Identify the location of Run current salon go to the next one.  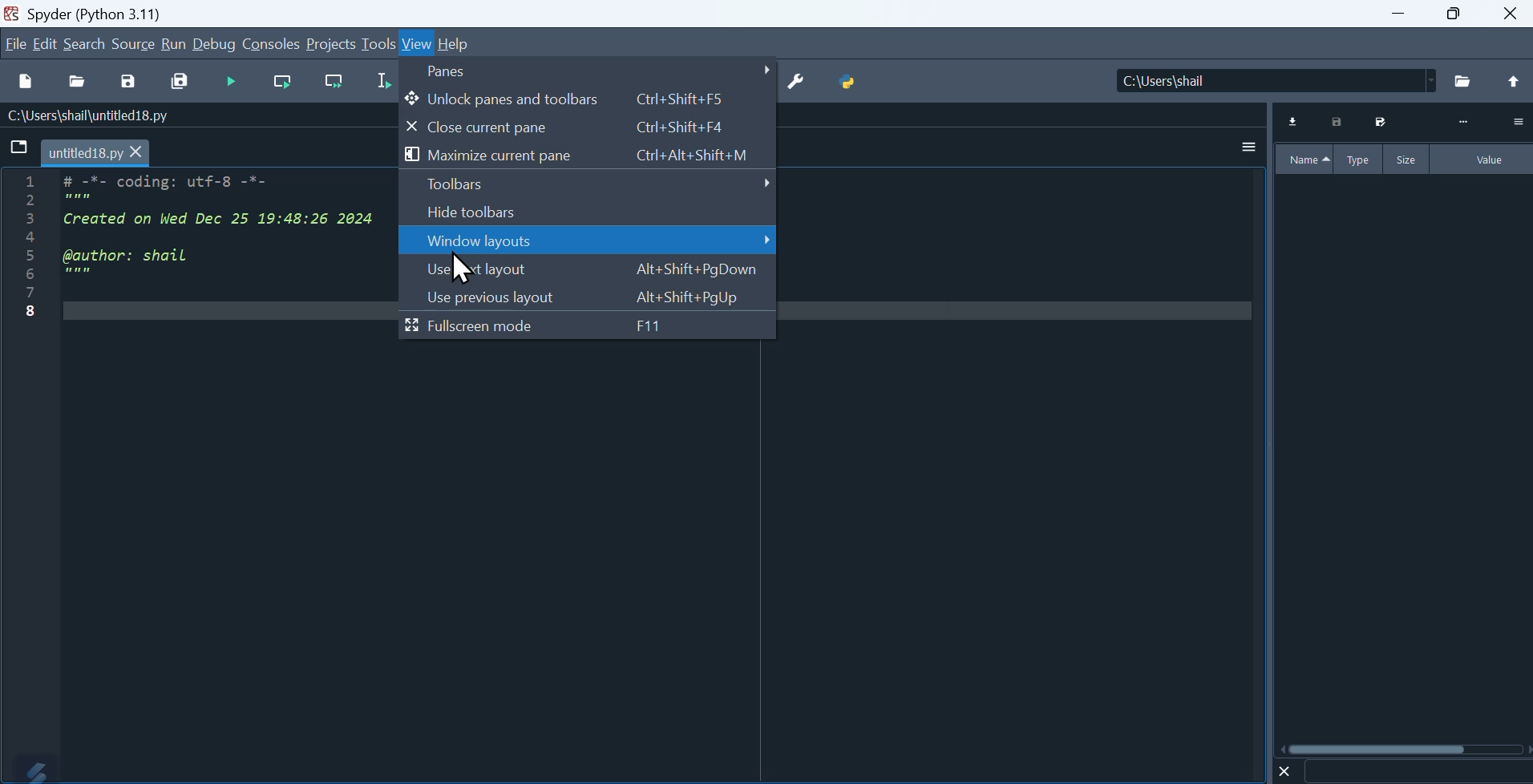
(334, 82).